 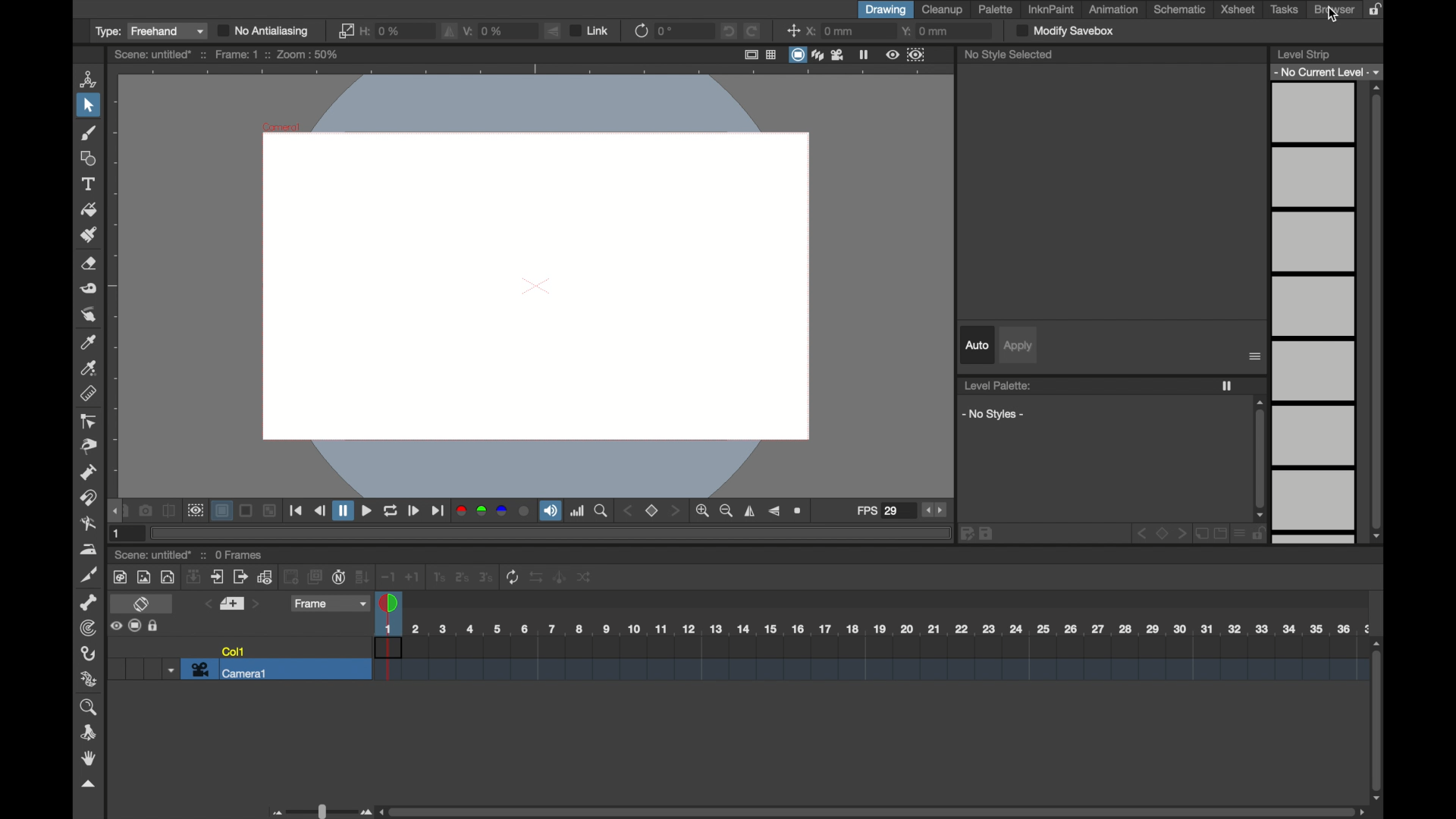 What do you see at coordinates (367, 511) in the screenshot?
I see `play` at bounding box center [367, 511].